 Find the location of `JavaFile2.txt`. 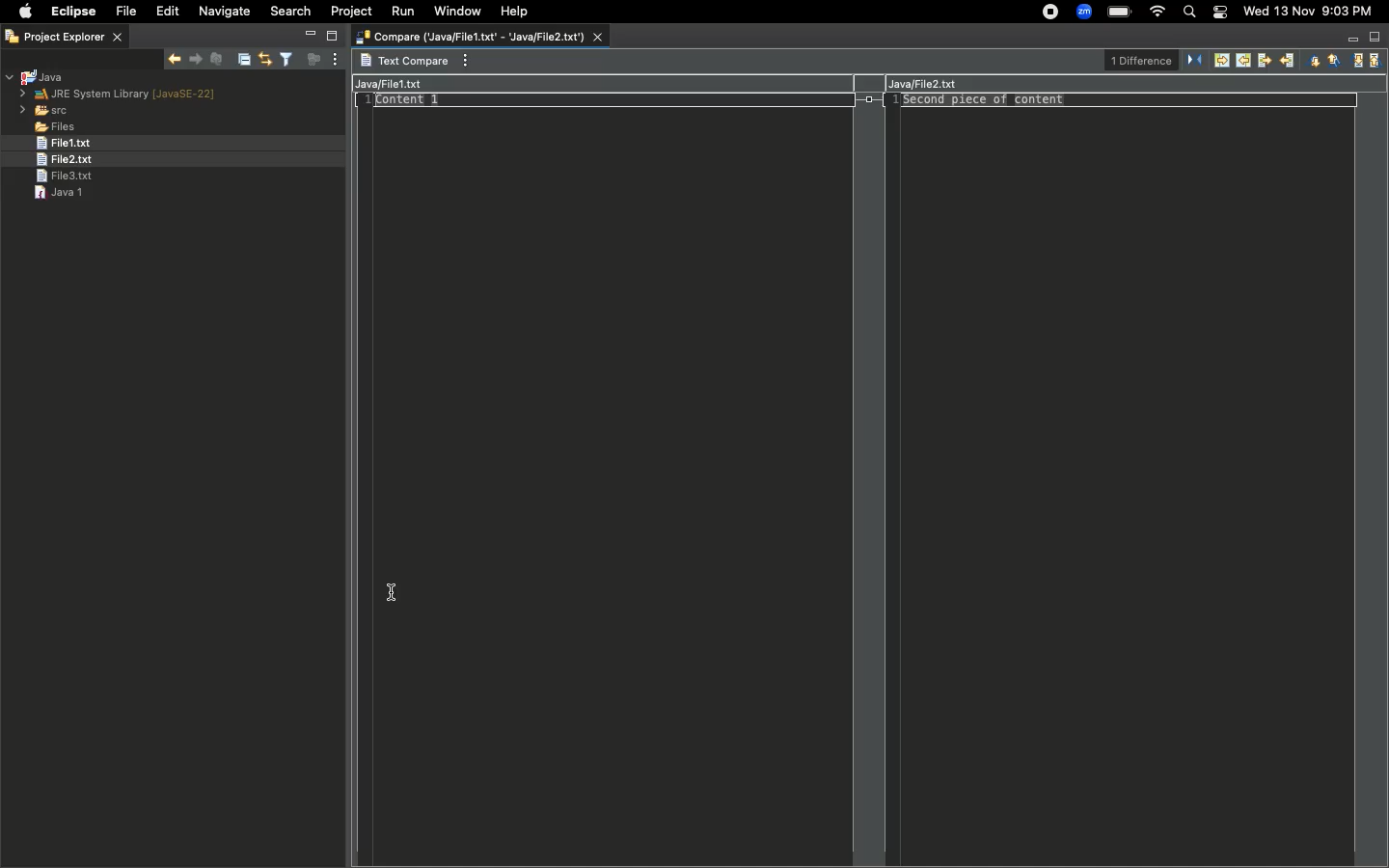

JavaFile2.txt is located at coordinates (931, 83).